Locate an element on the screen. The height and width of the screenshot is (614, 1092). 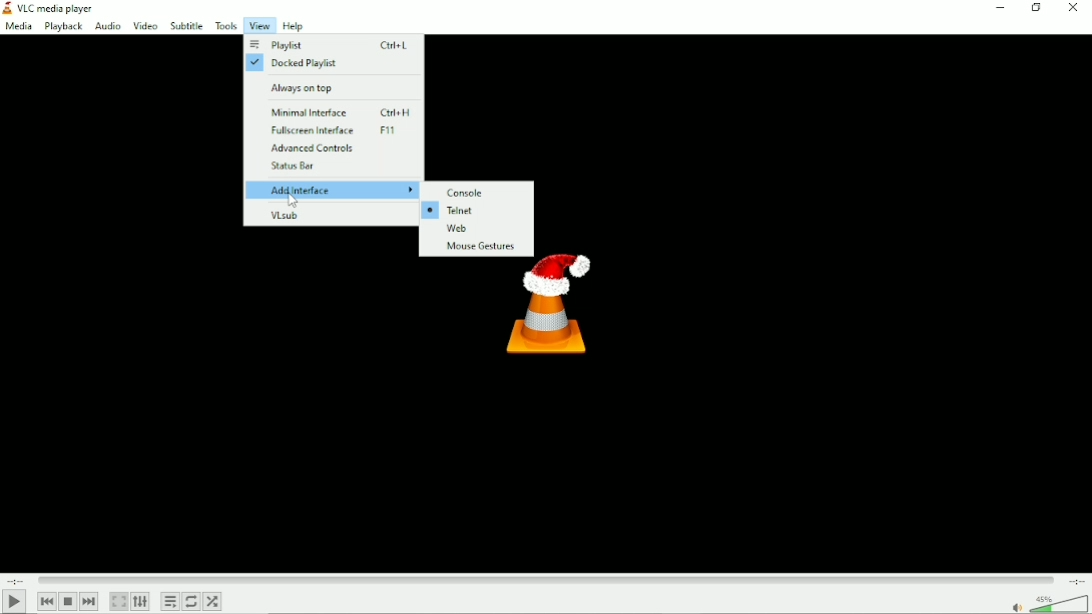
Play duration is located at coordinates (546, 580).